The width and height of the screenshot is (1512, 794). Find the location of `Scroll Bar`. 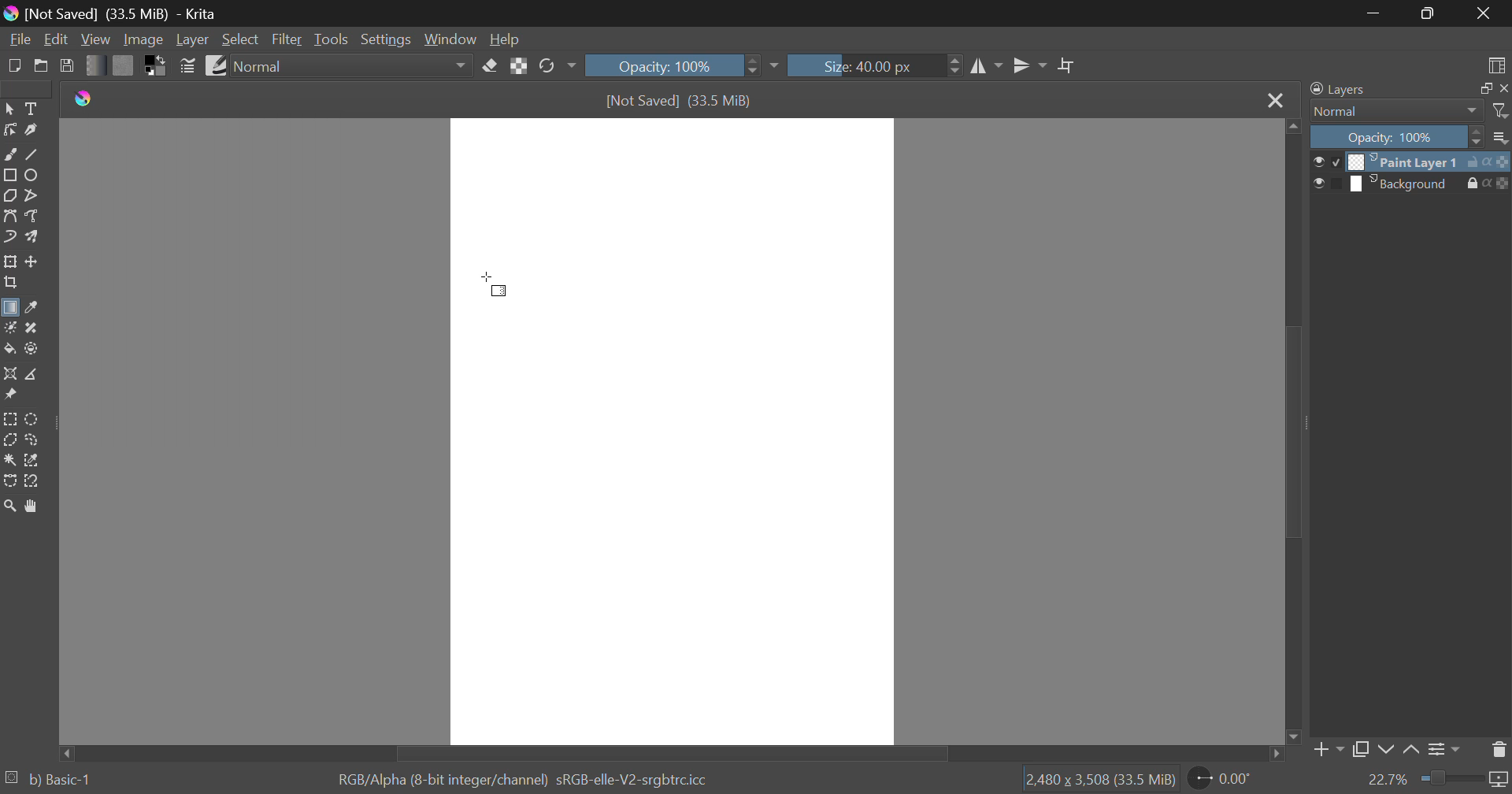

Scroll Bar is located at coordinates (674, 752).